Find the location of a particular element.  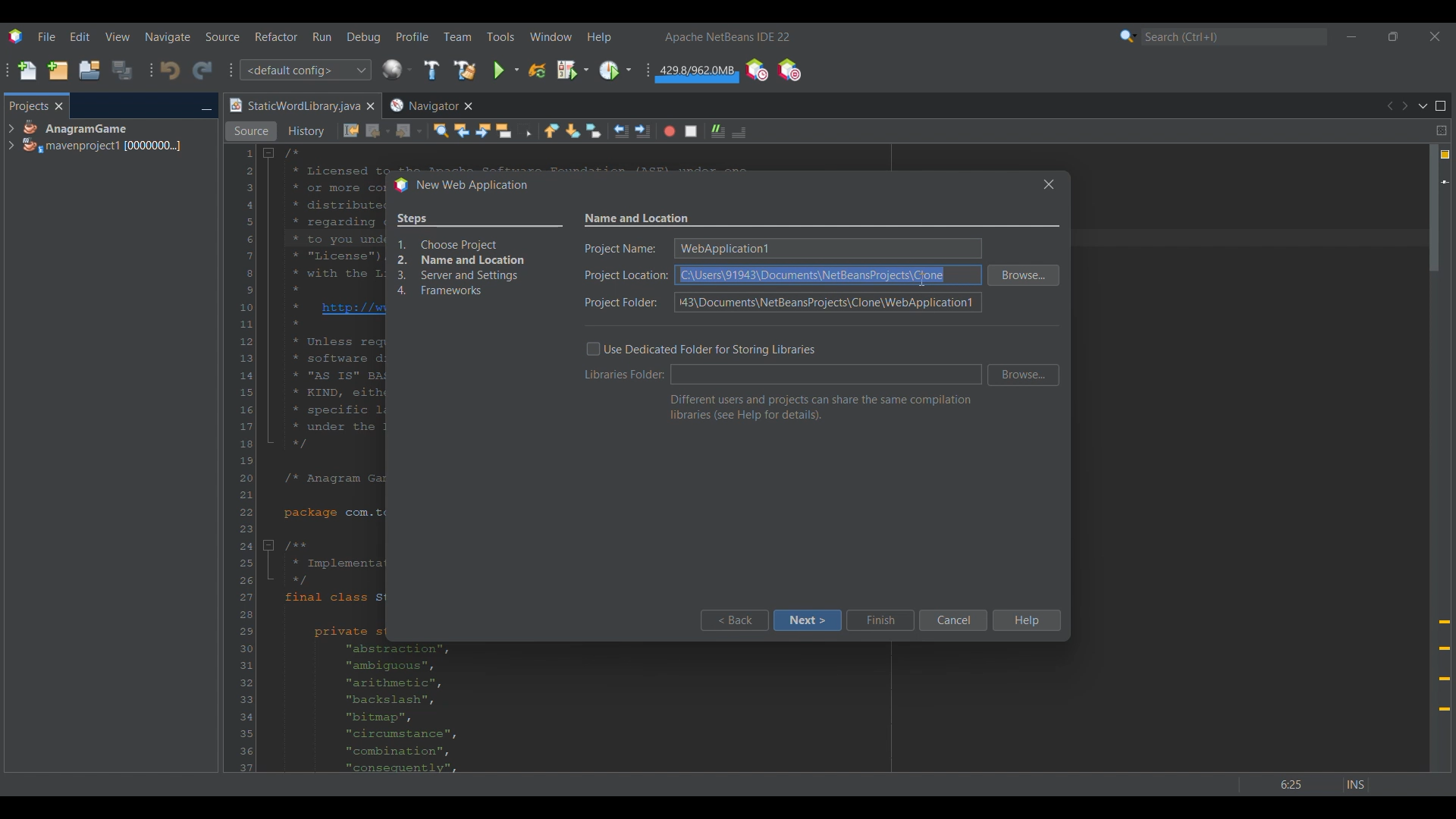

Help menu is located at coordinates (599, 37).